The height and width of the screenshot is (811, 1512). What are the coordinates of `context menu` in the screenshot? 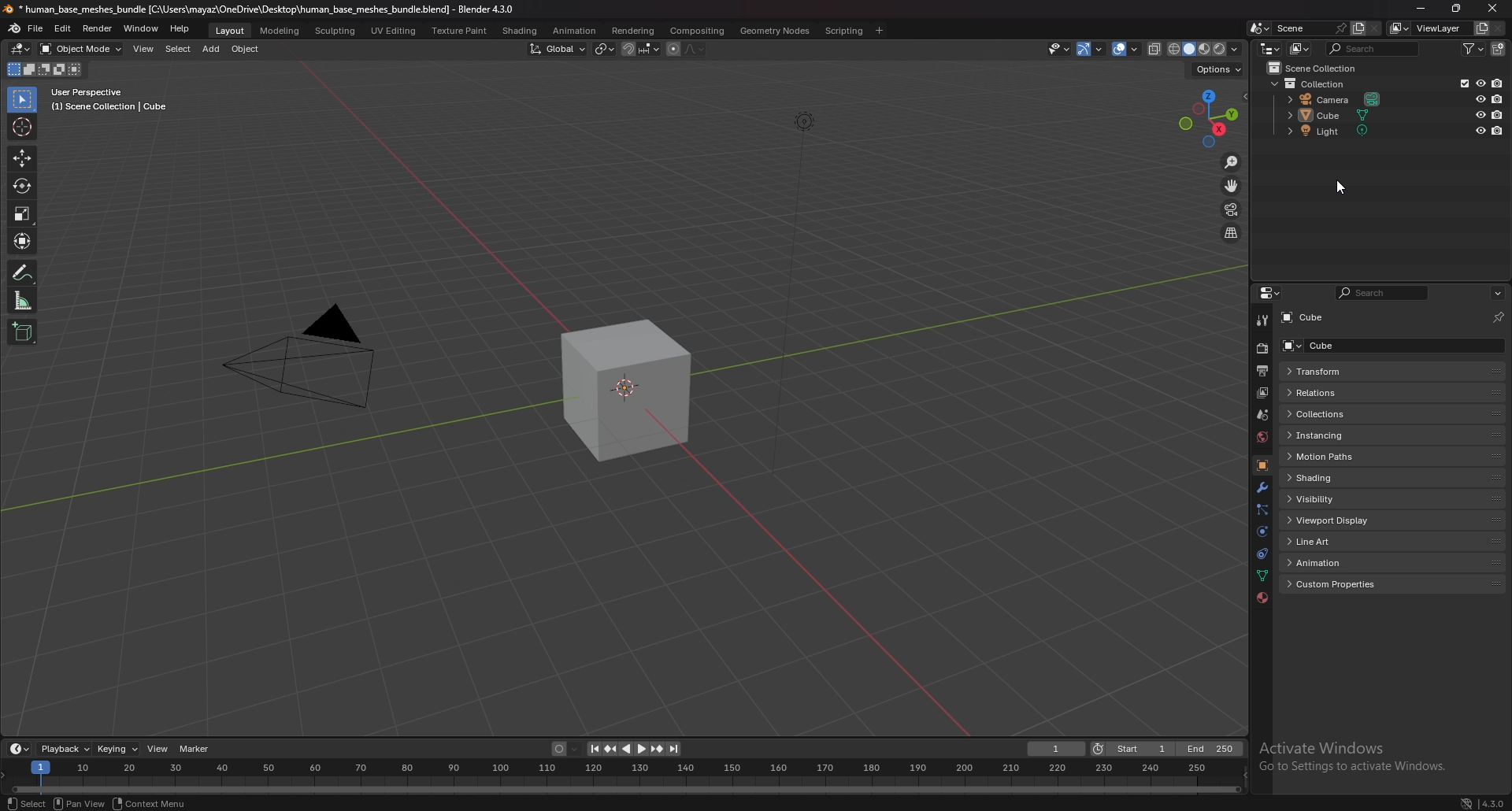 It's located at (154, 804).